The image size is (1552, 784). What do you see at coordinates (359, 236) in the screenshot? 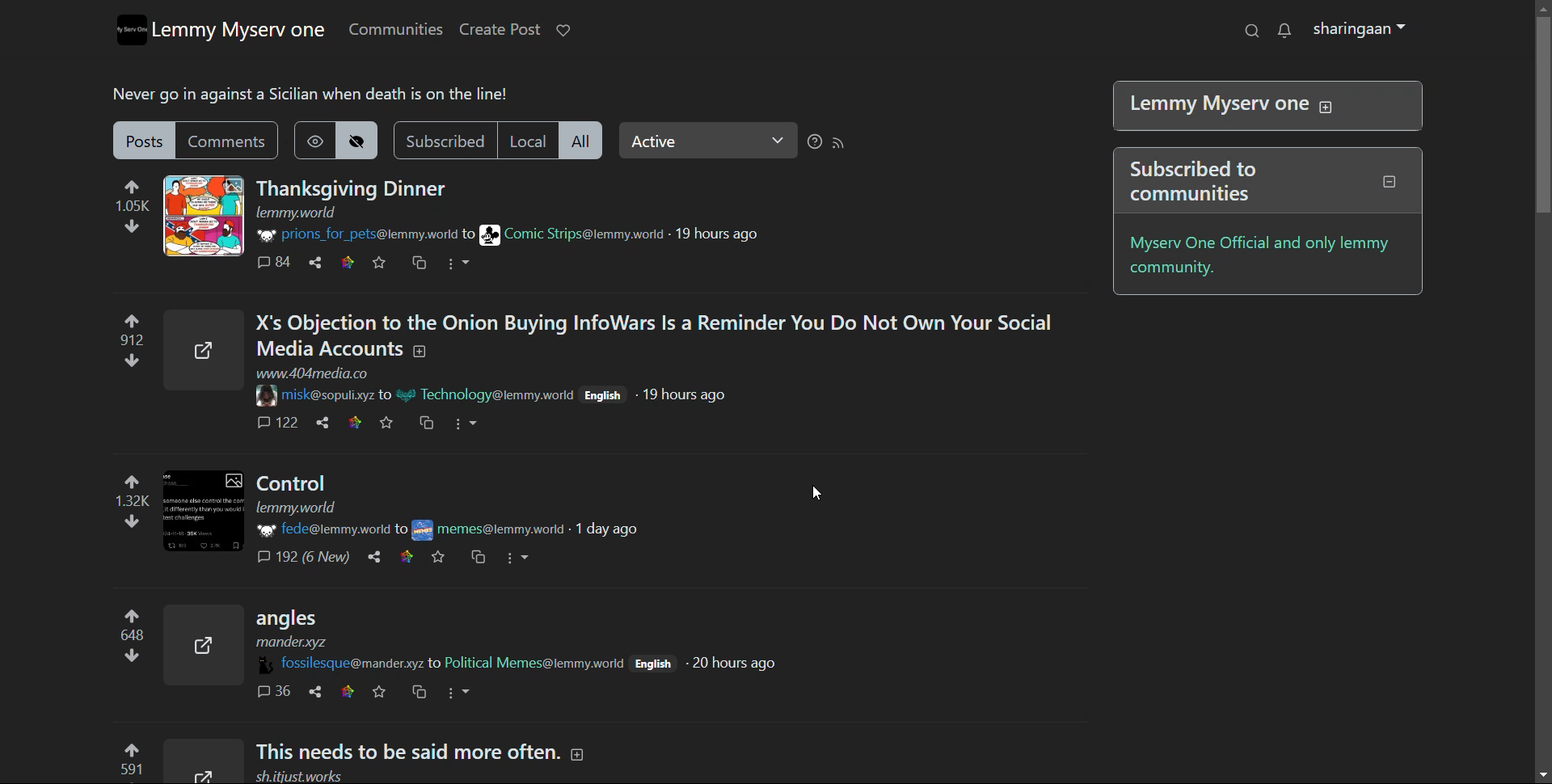
I see `username` at bounding box center [359, 236].